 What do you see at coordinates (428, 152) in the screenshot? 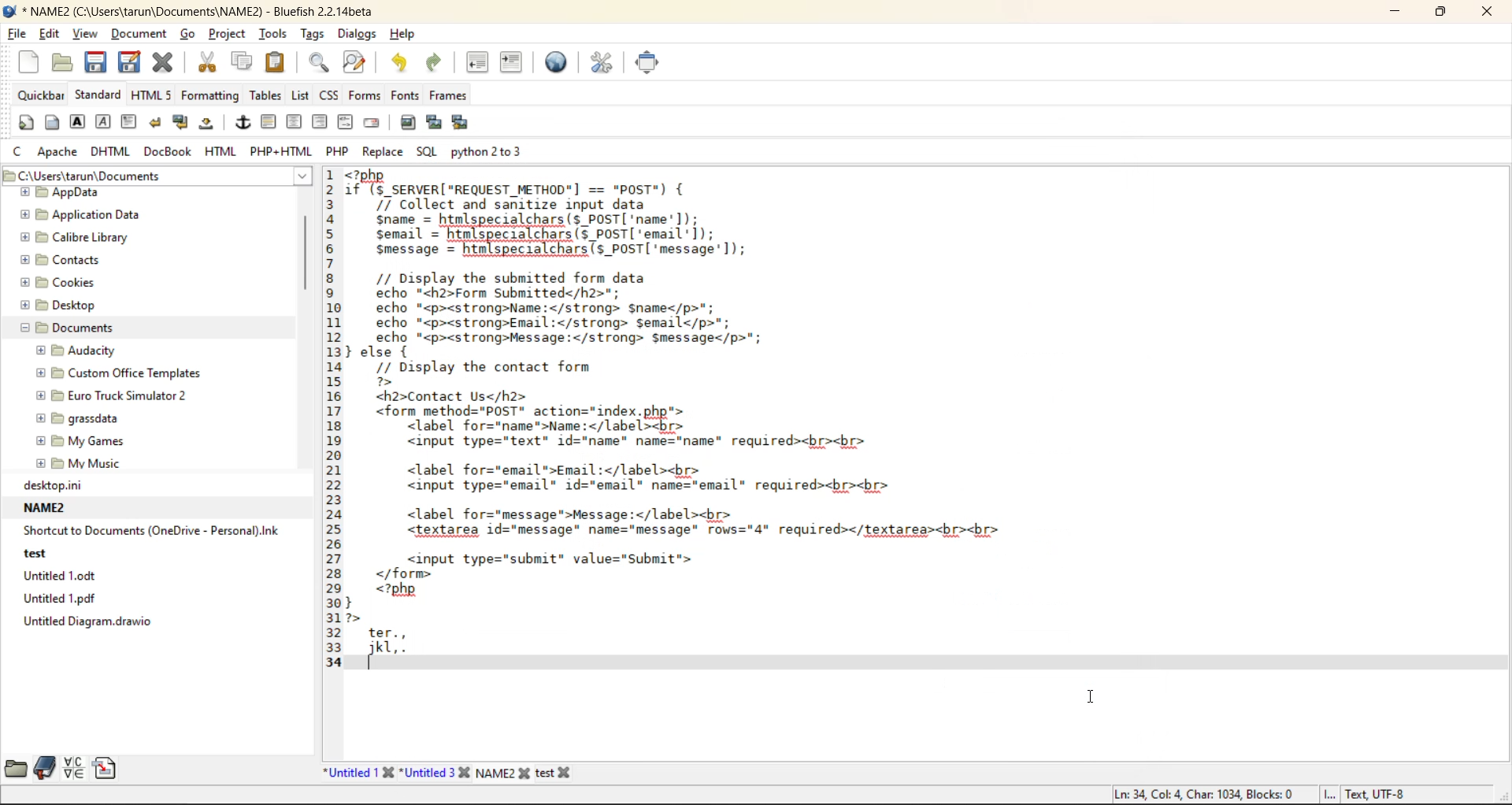
I see `sql` at bounding box center [428, 152].